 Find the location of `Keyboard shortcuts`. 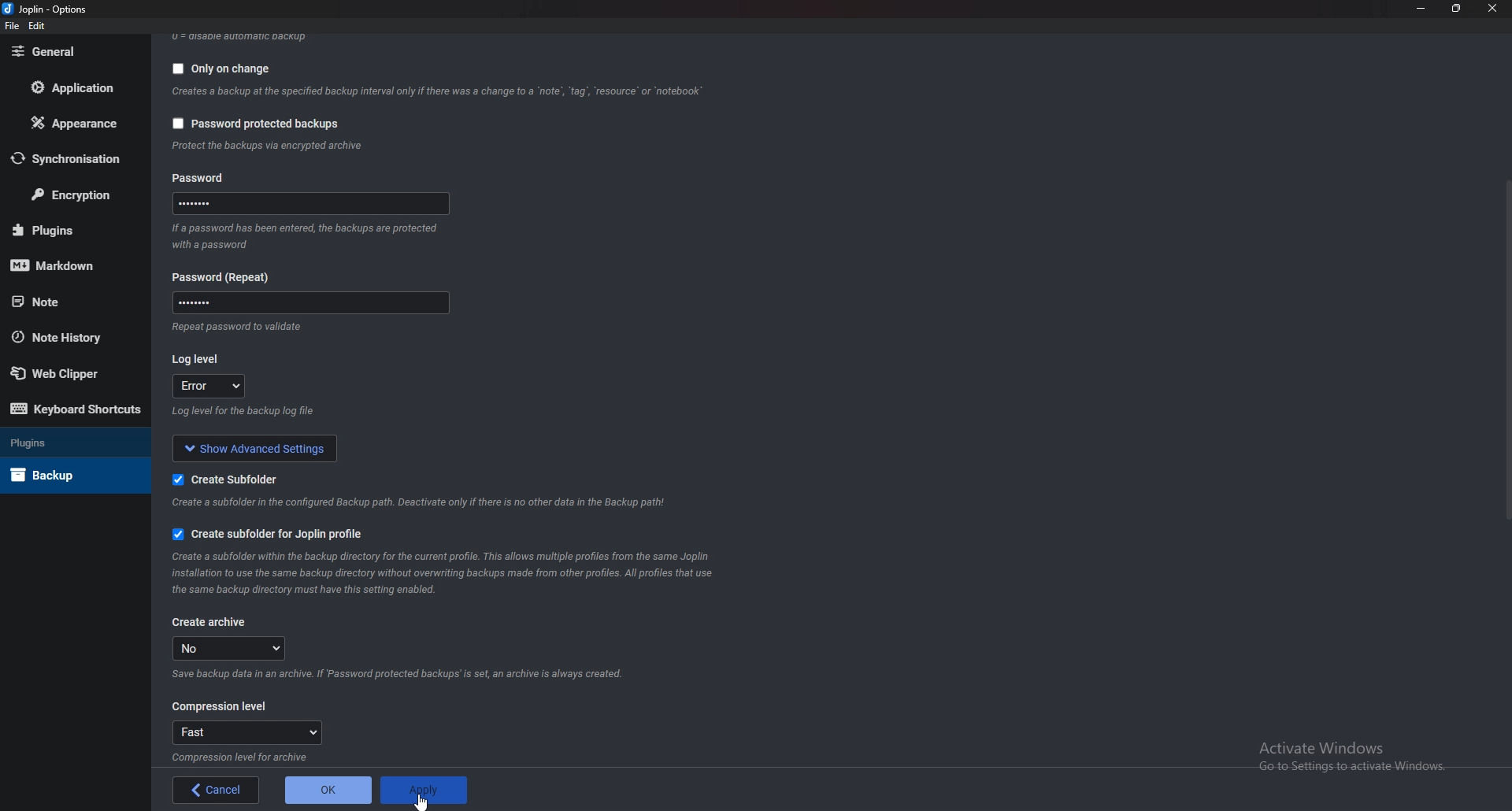

Keyboard shortcuts is located at coordinates (72, 409).